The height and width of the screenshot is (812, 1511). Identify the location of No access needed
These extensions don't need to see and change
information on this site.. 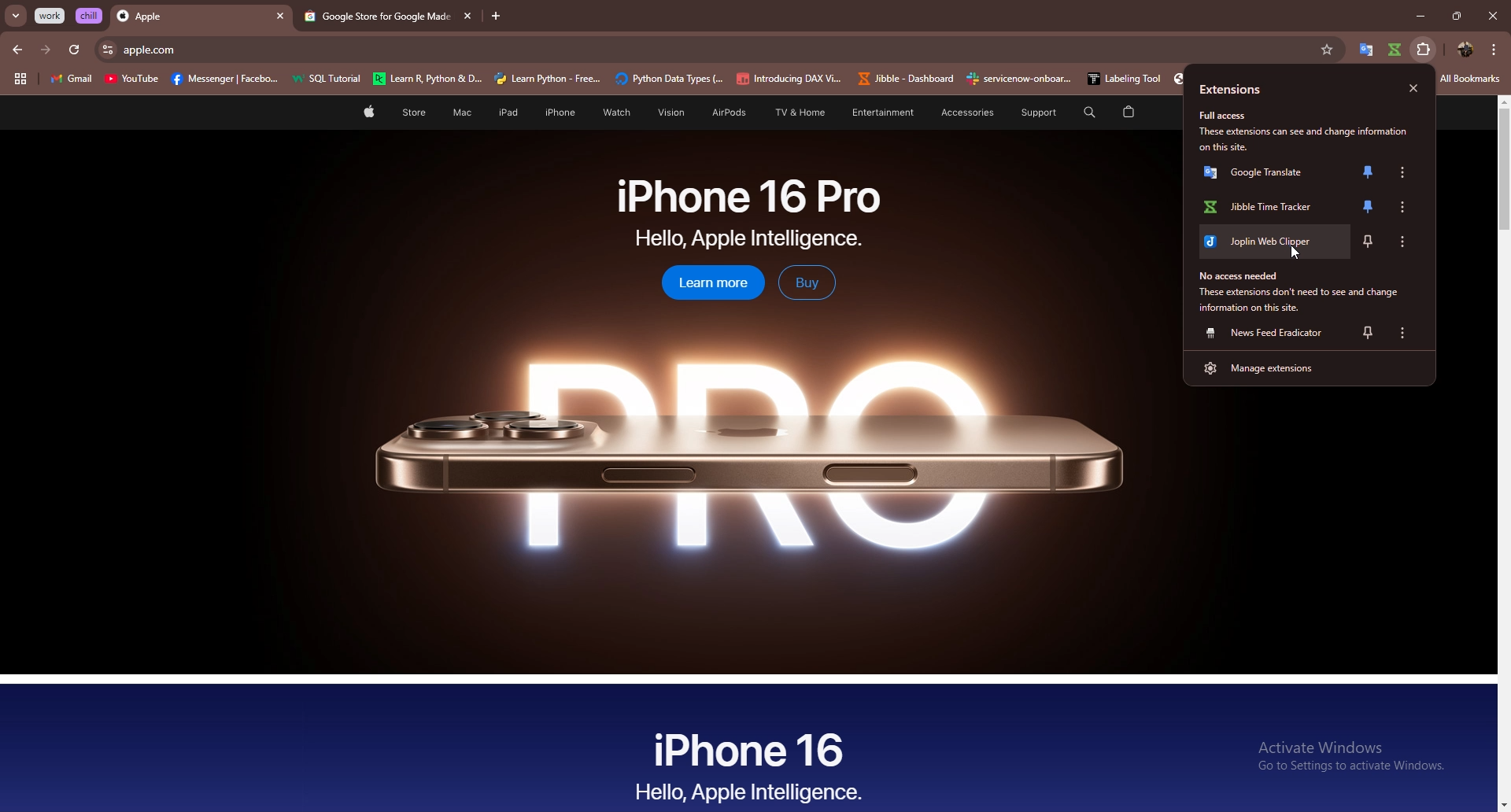
(1306, 292).